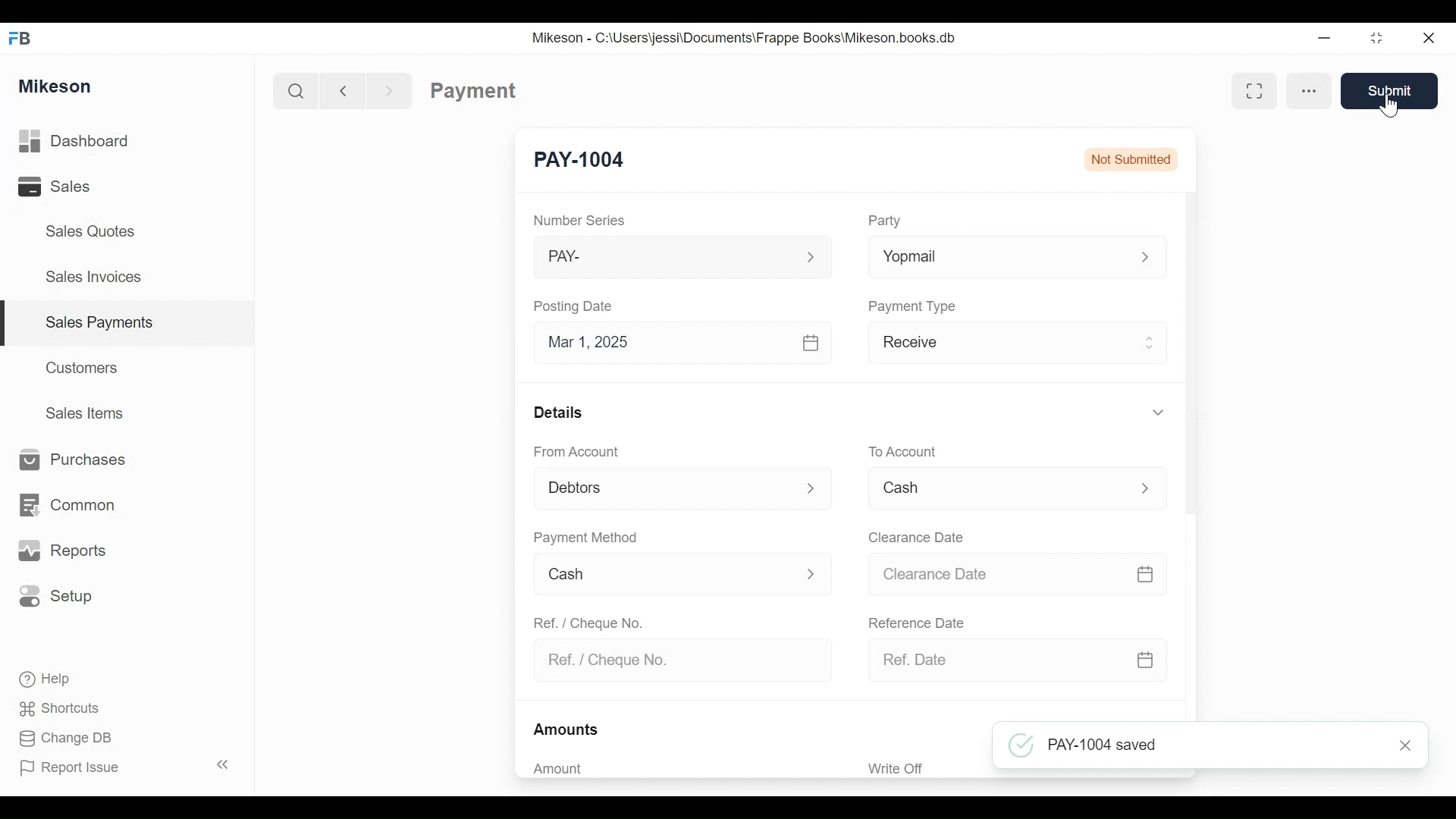 This screenshot has width=1456, height=819. I want to click on Amounts, so click(570, 726).